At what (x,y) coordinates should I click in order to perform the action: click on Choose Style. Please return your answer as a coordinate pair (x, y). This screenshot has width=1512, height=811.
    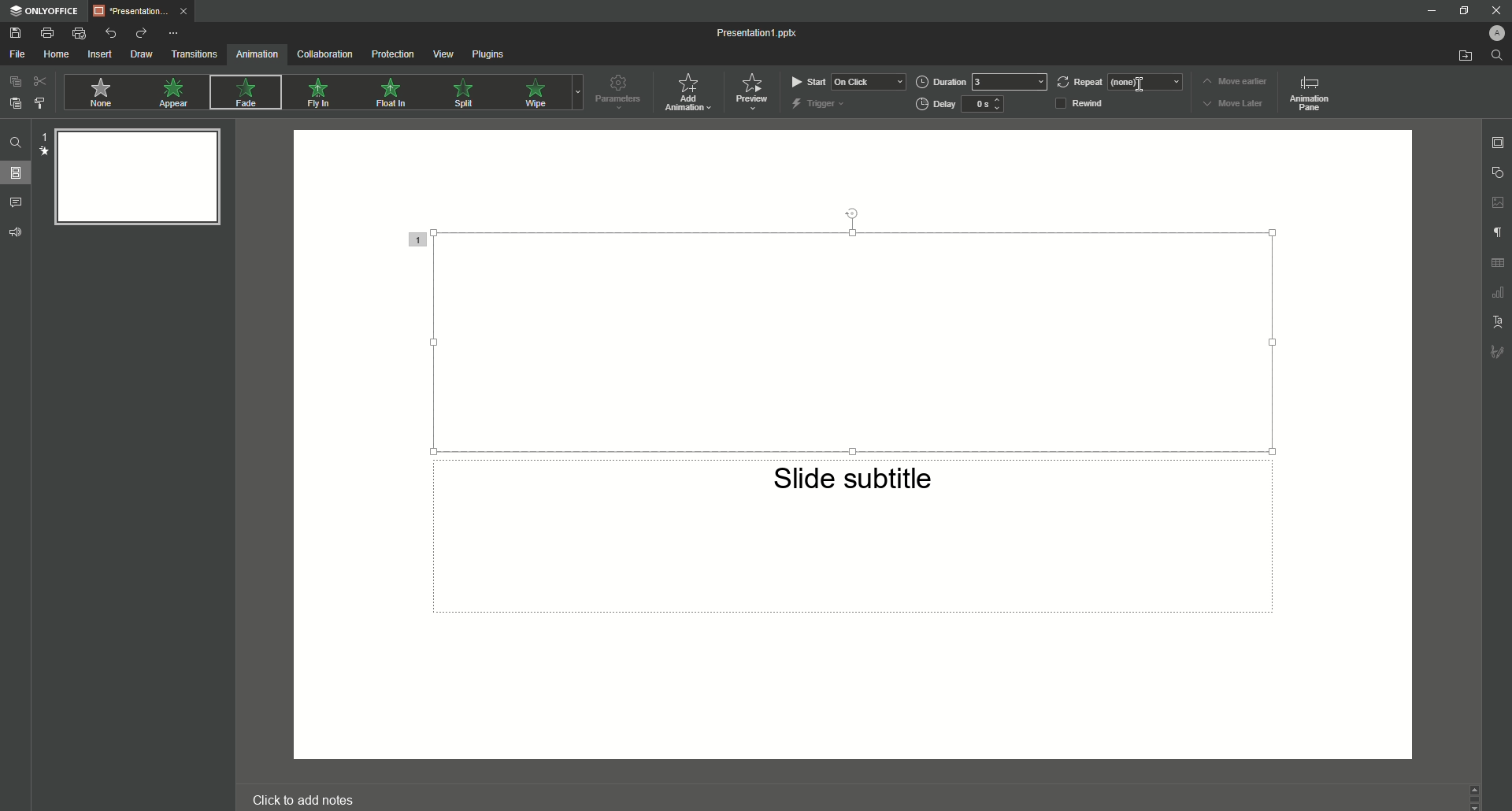
    Looking at the image, I should click on (40, 103).